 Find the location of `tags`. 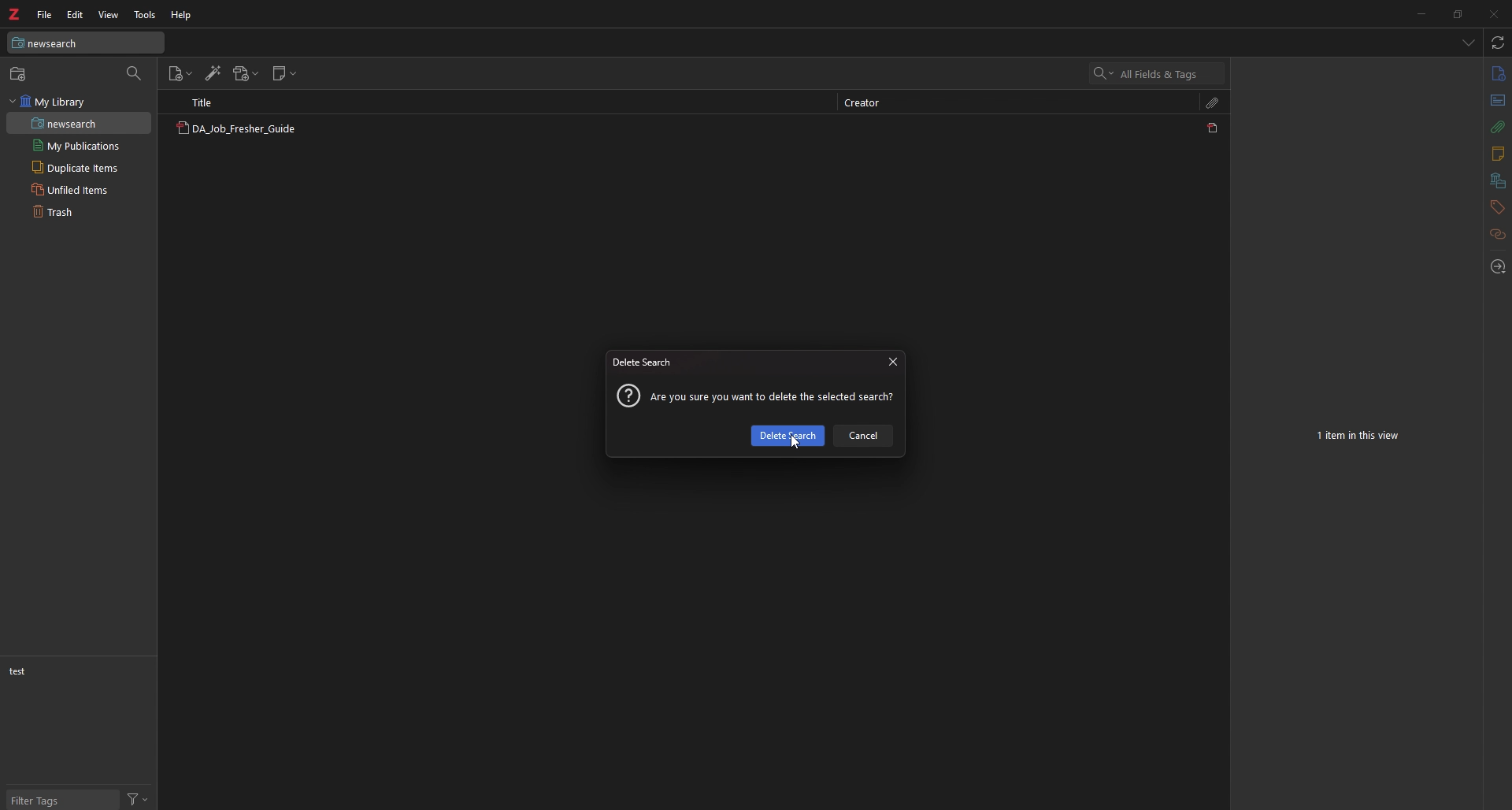

tags is located at coordinates (1497, 207).